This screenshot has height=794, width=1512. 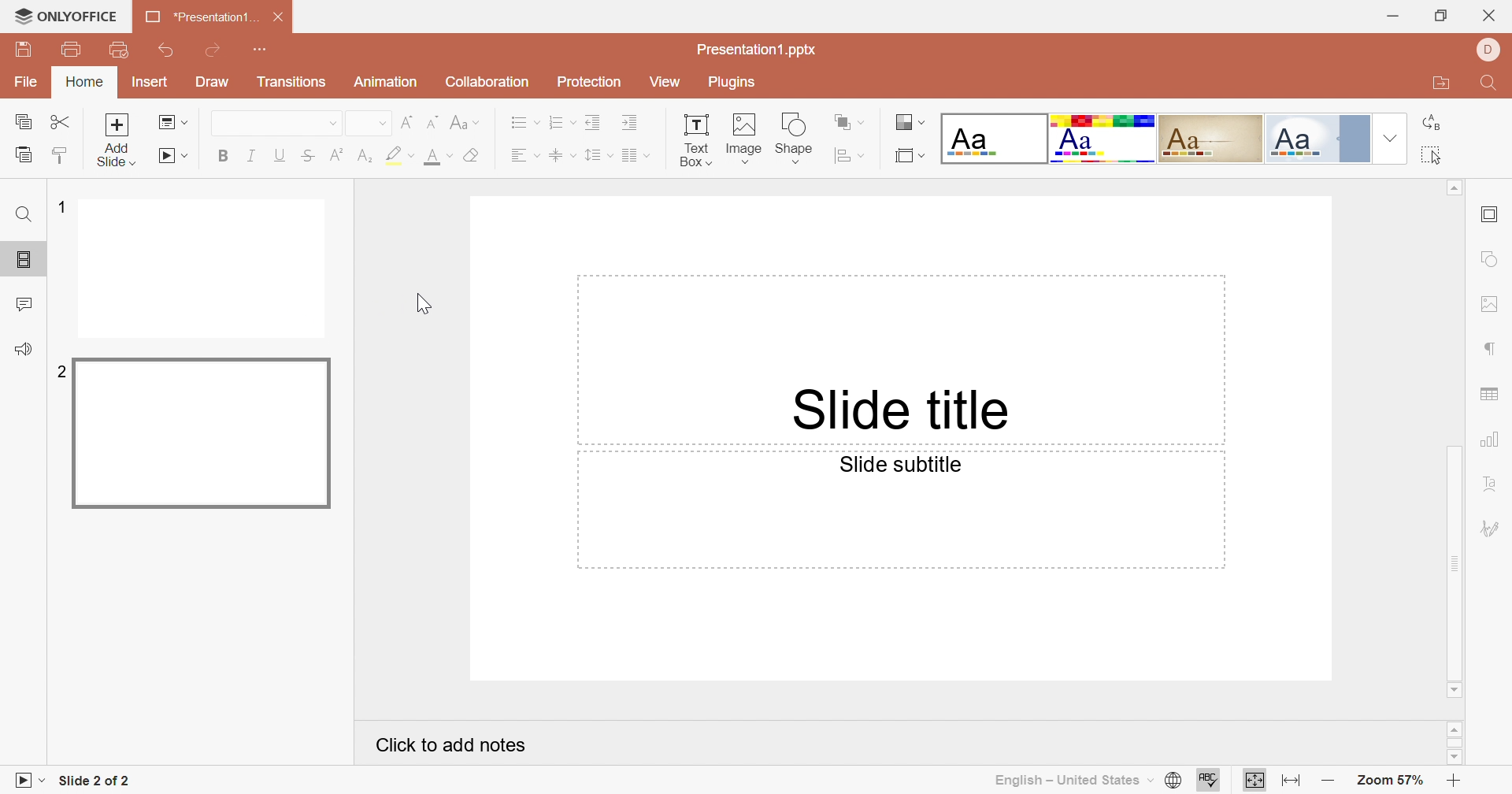 I want to click on Undo, so click(x=169, y=50).